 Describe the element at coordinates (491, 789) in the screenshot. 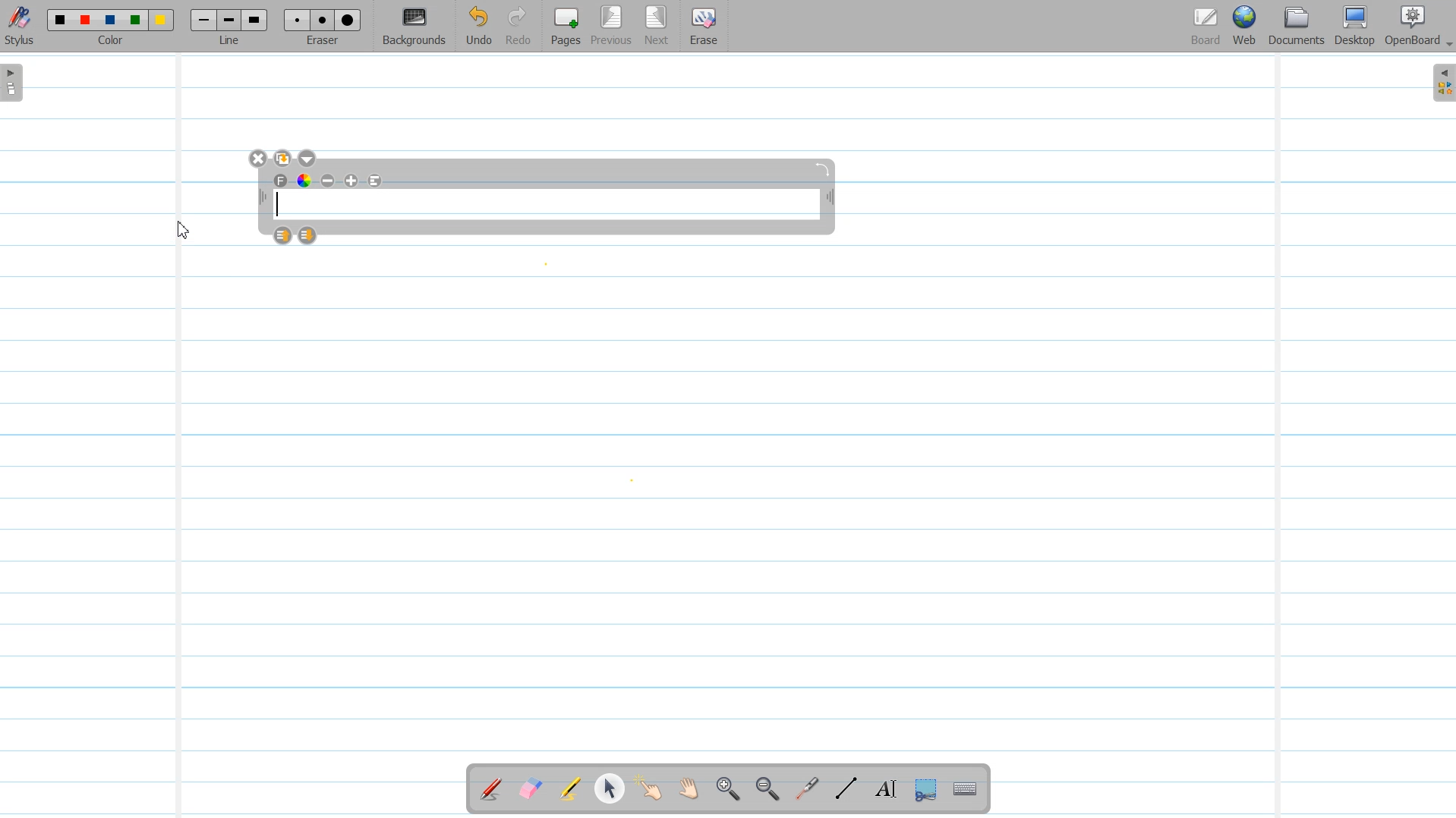

I see `Annotate Document` at that location.